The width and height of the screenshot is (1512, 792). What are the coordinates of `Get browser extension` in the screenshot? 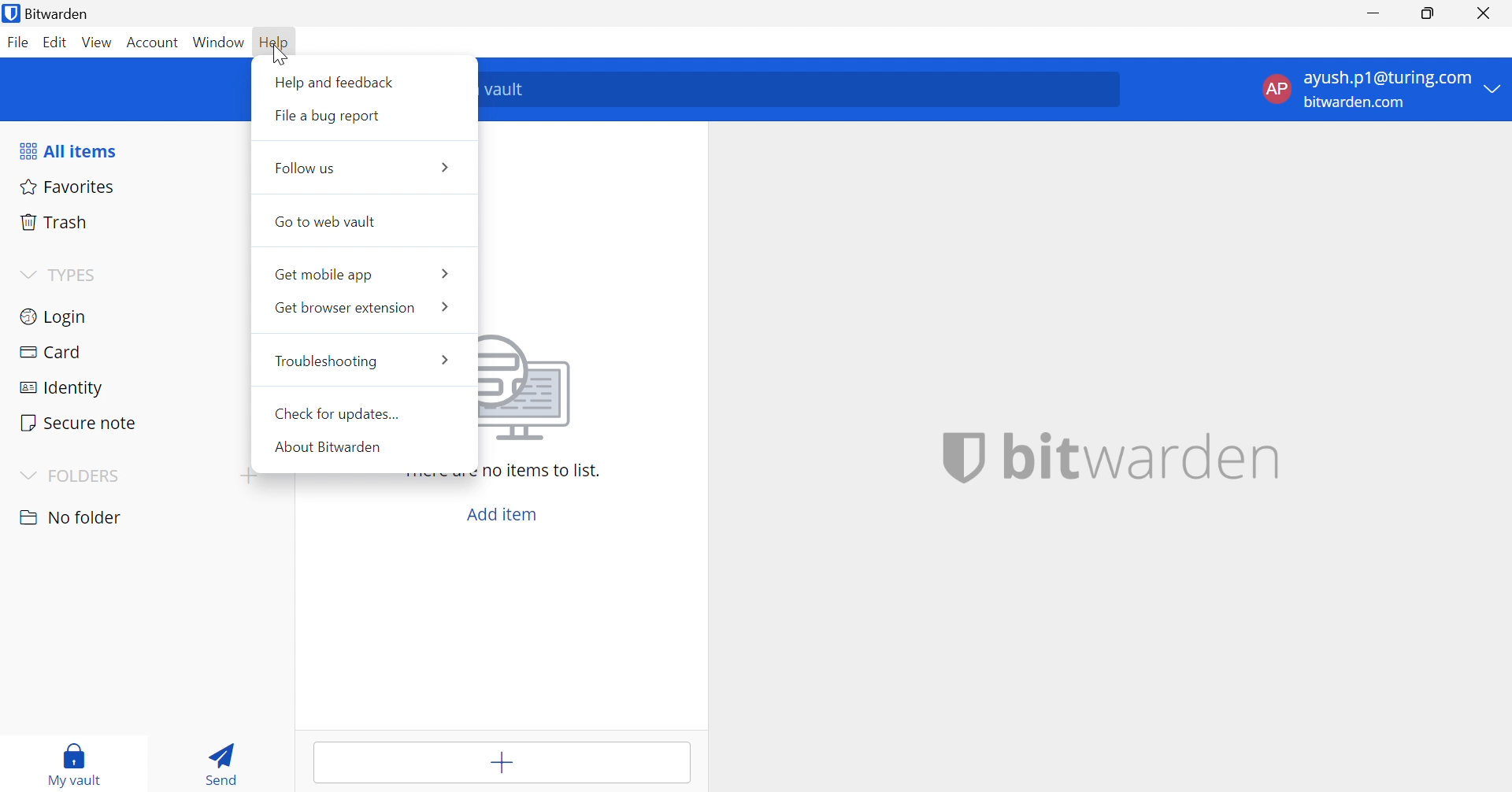 It's located at (366, 308).